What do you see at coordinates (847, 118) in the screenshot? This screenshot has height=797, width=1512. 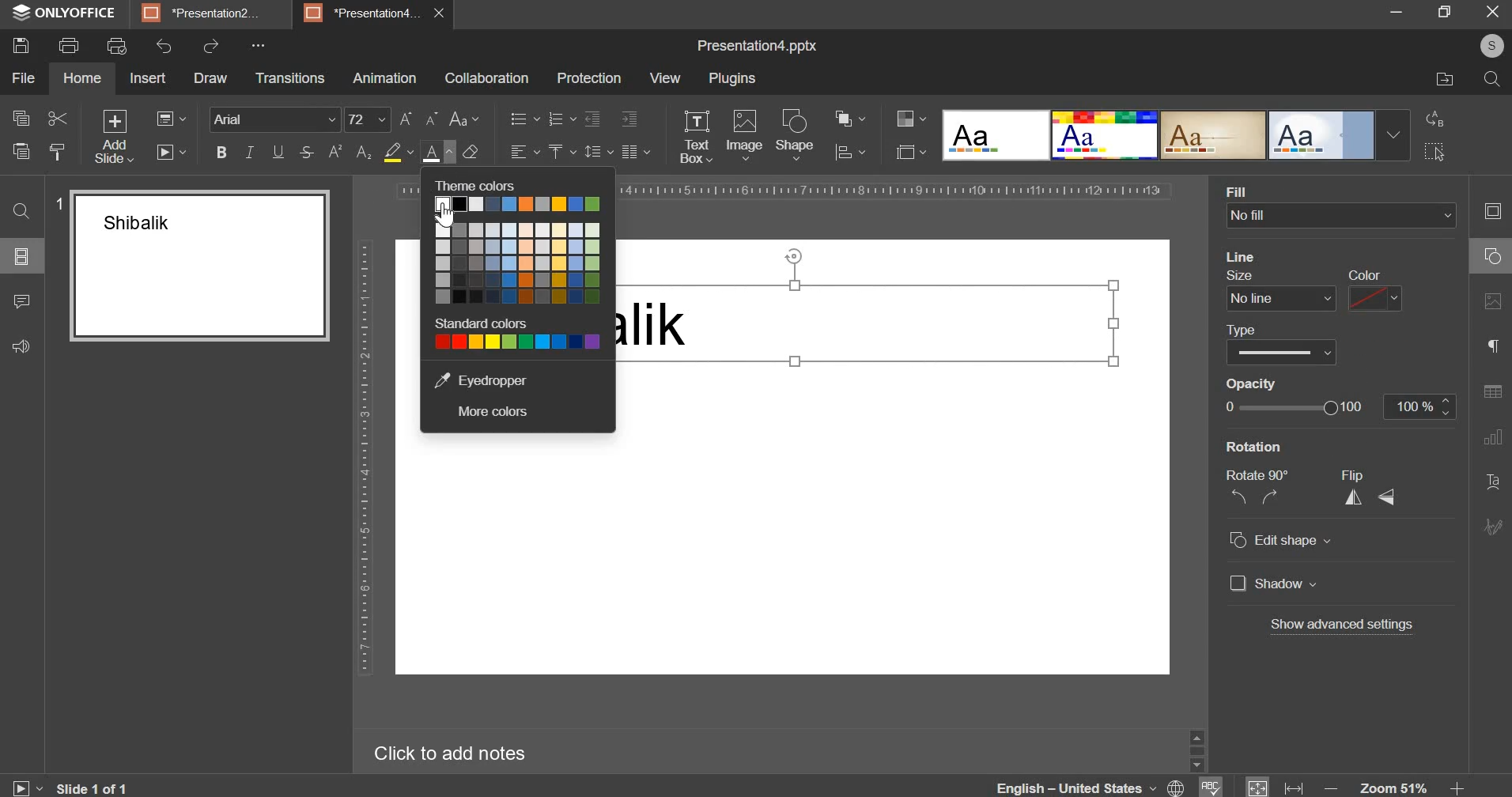 I see `arrange` at bounding box center [847, 118].